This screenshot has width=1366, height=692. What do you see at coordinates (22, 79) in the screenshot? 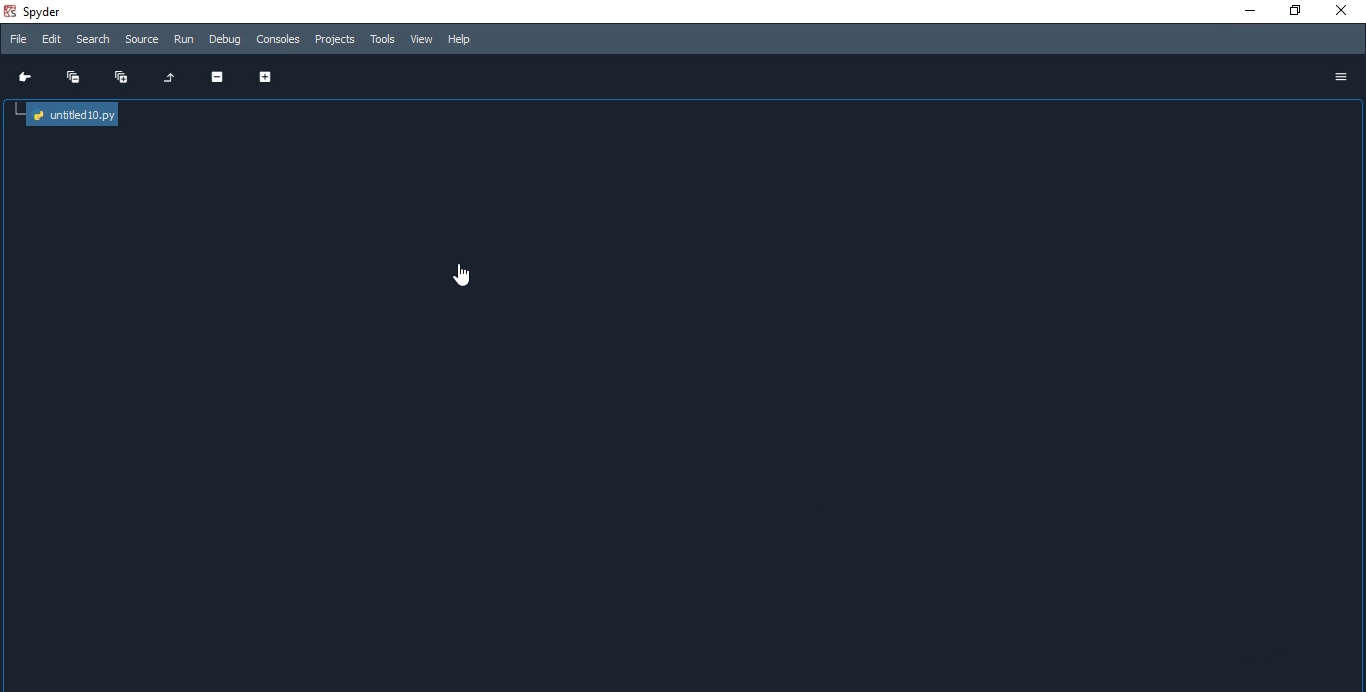
I see `Go to cursor position` at bounding box center [22, 79].